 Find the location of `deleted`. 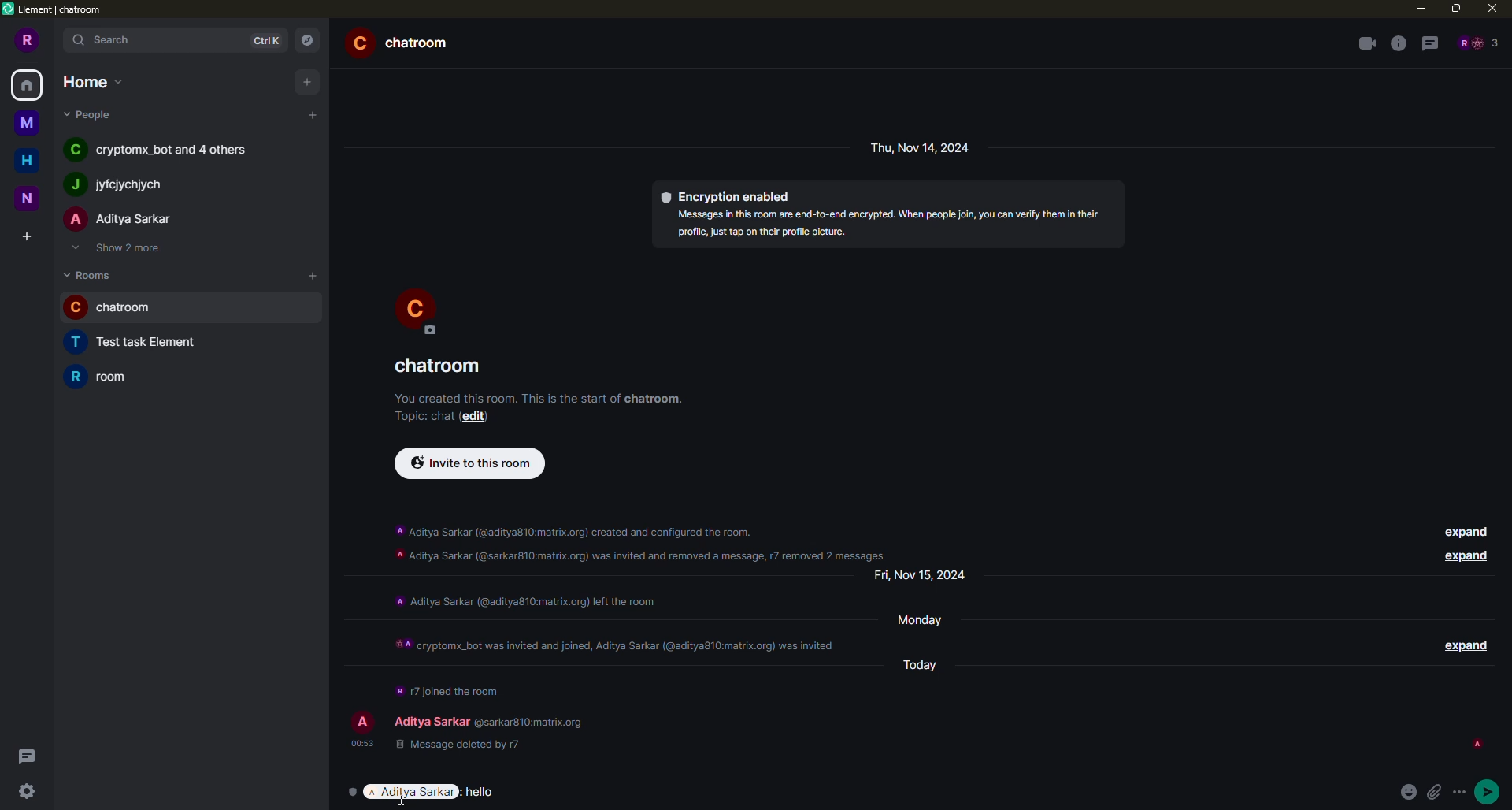

deleted is located at coordinates (454, 747).